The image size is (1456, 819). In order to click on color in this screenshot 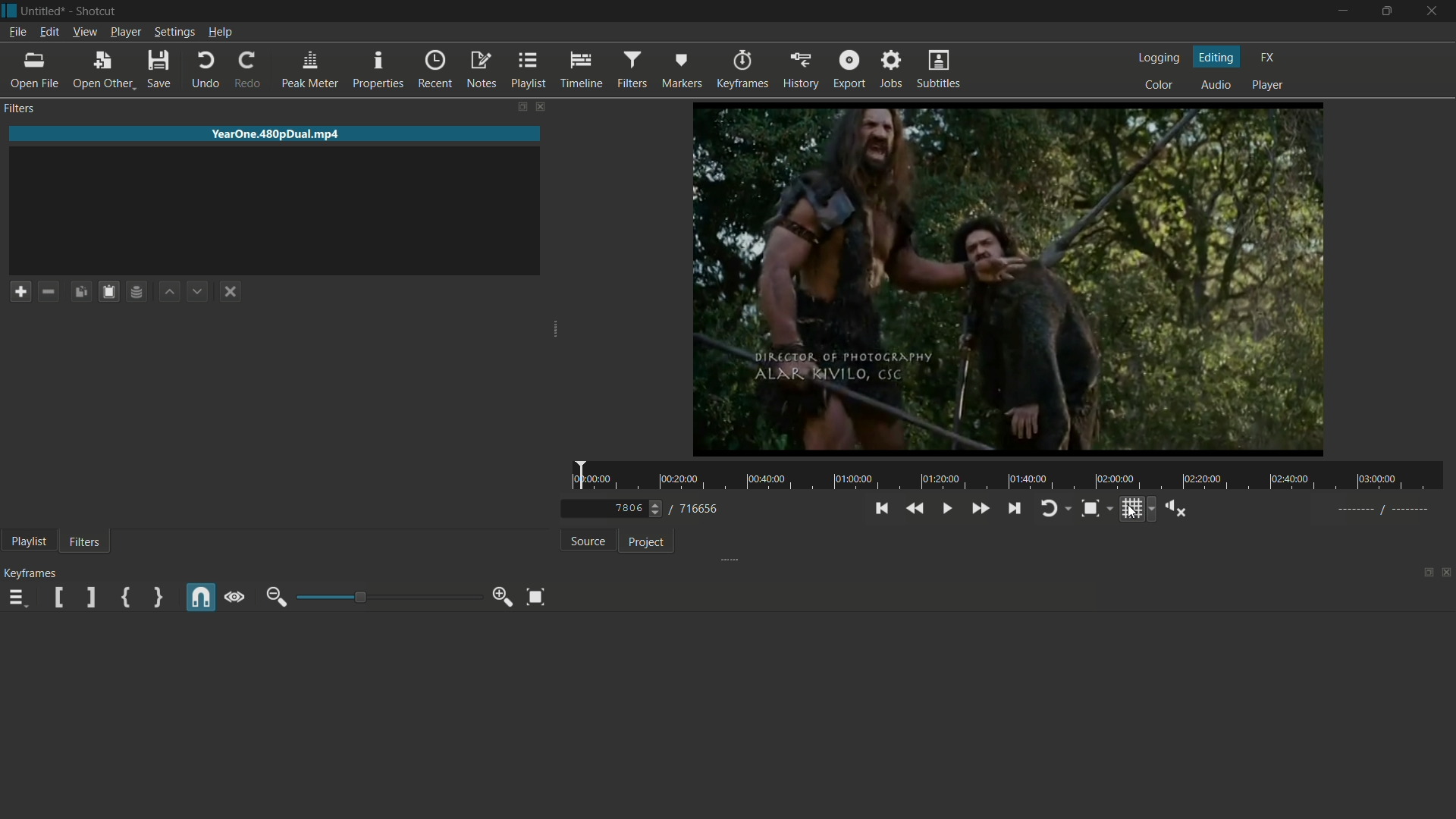, I will do `click(1159, 86)`.